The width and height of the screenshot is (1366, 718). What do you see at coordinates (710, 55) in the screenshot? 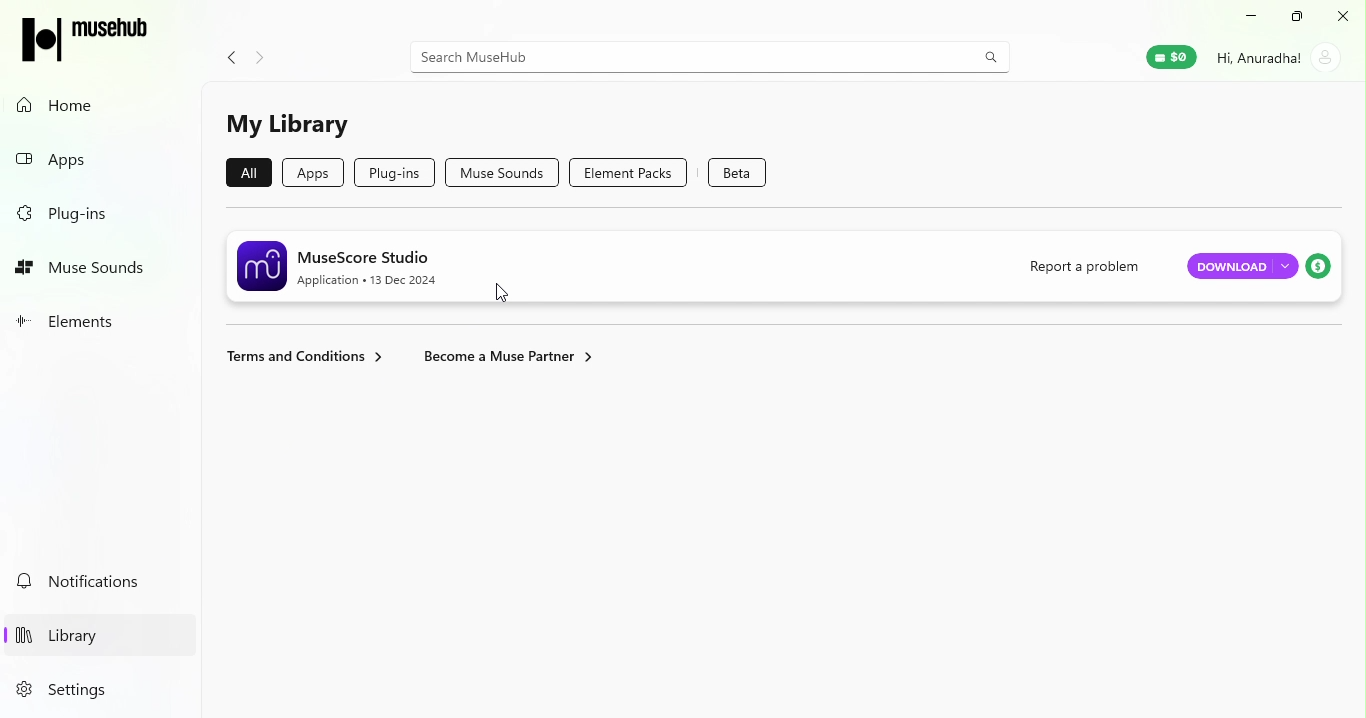
I see `Search bar` at bounding box center [710, 55].